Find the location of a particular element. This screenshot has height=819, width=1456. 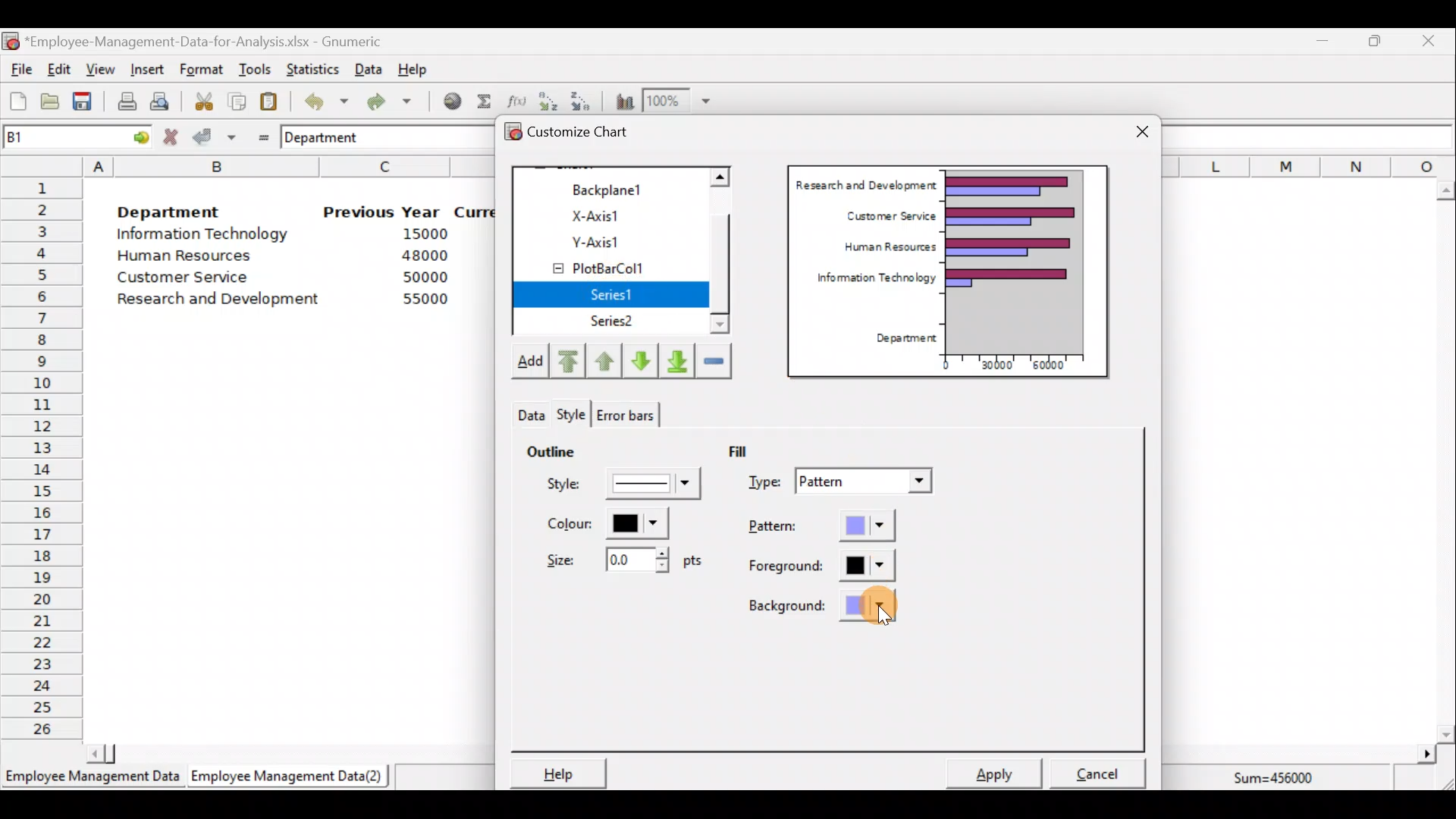

Minimize is located at coordinates (1319, 44).